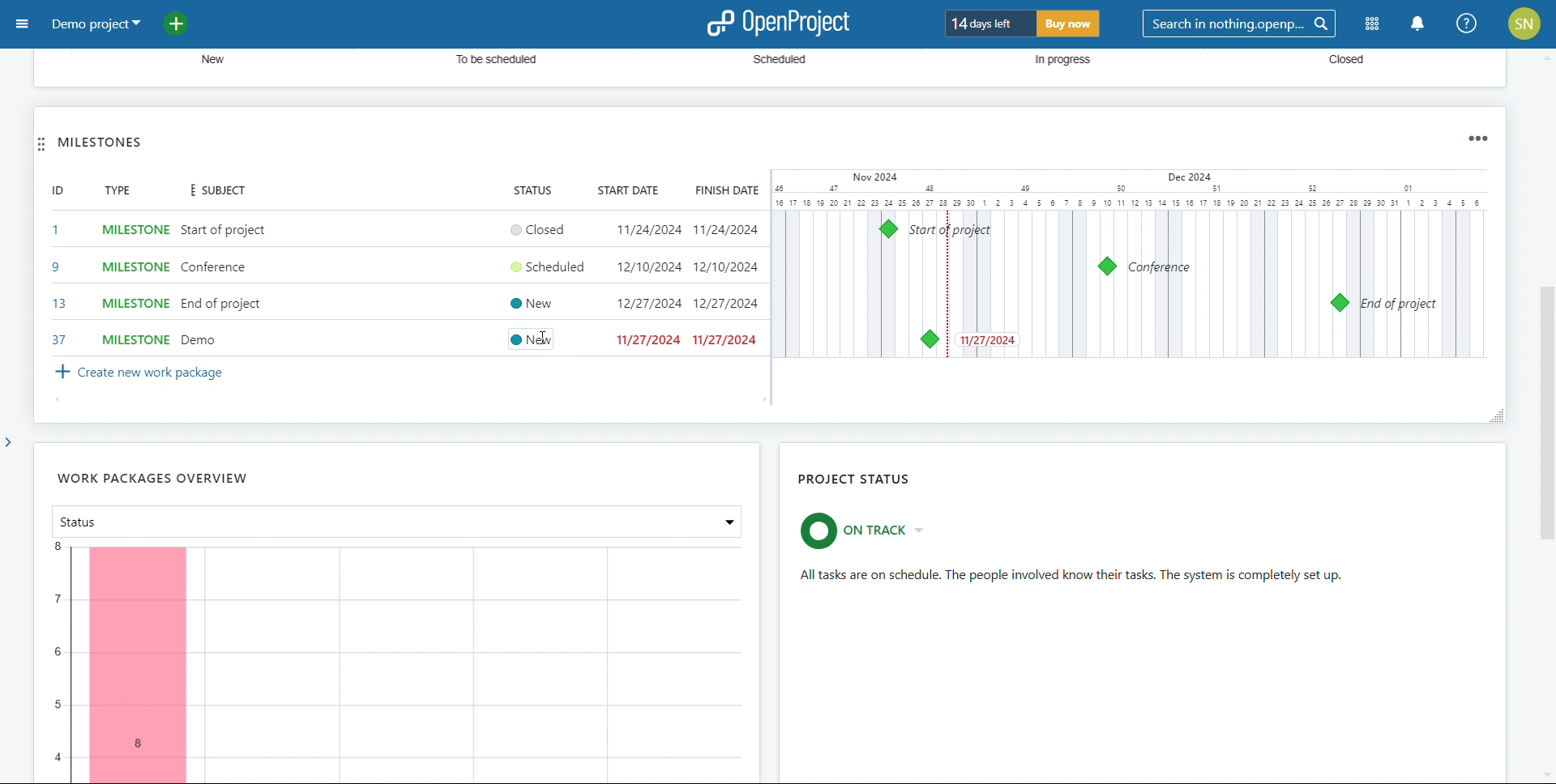  What do you see at coordinates (1057, 61) in the screenshot?
I see `In progress` at bounding box center [1057, 61].